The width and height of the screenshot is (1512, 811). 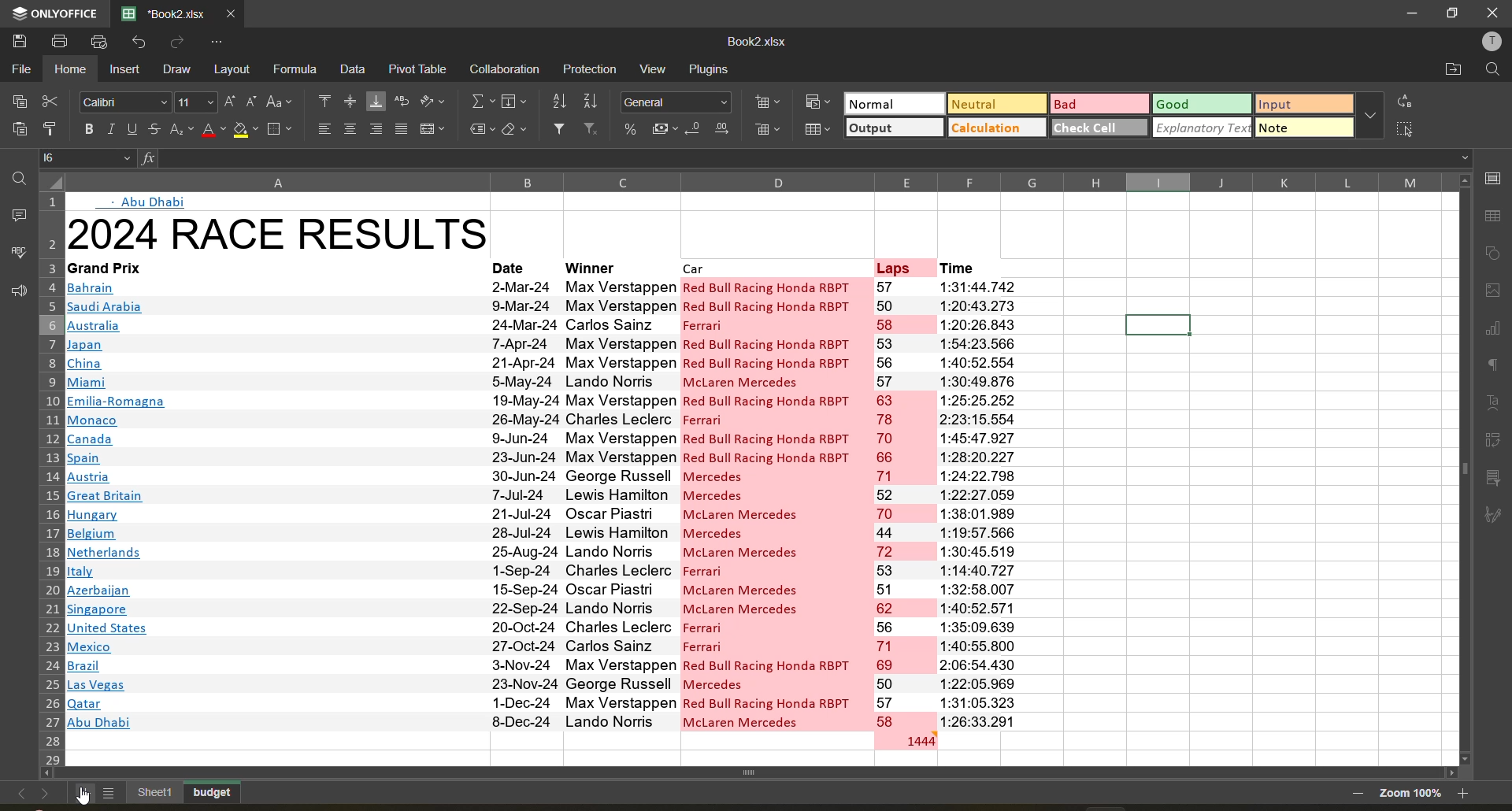 I want to click on zoom out, so click(x=1462, y=795).